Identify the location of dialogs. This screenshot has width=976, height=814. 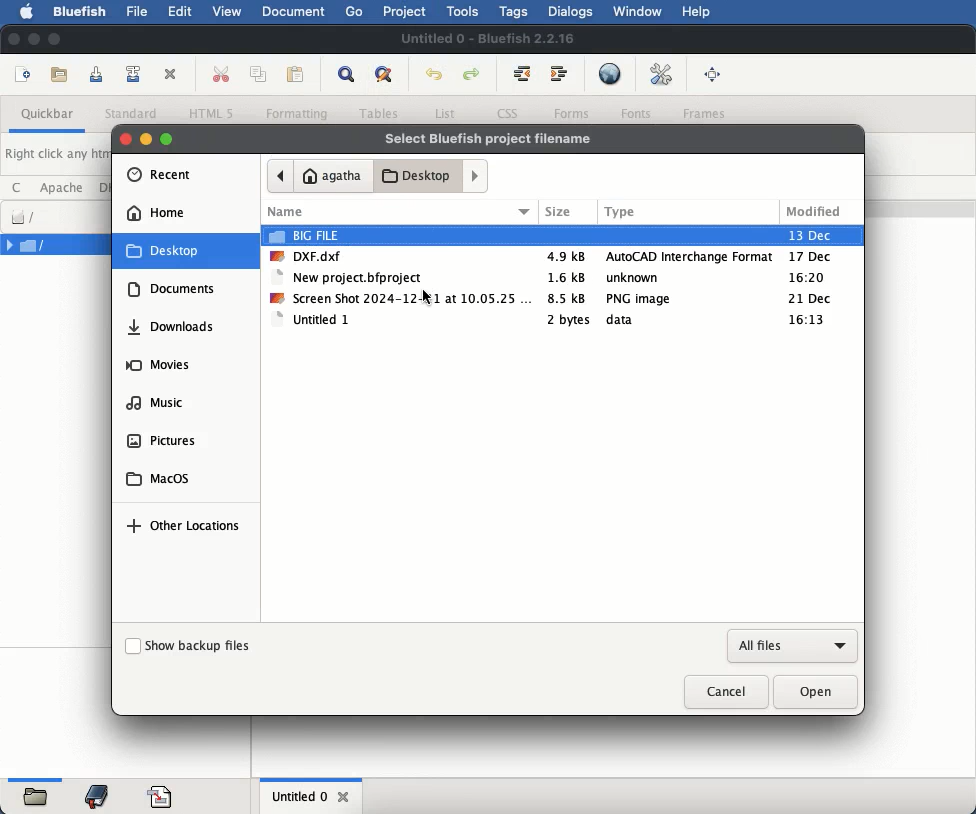
(571, 11).